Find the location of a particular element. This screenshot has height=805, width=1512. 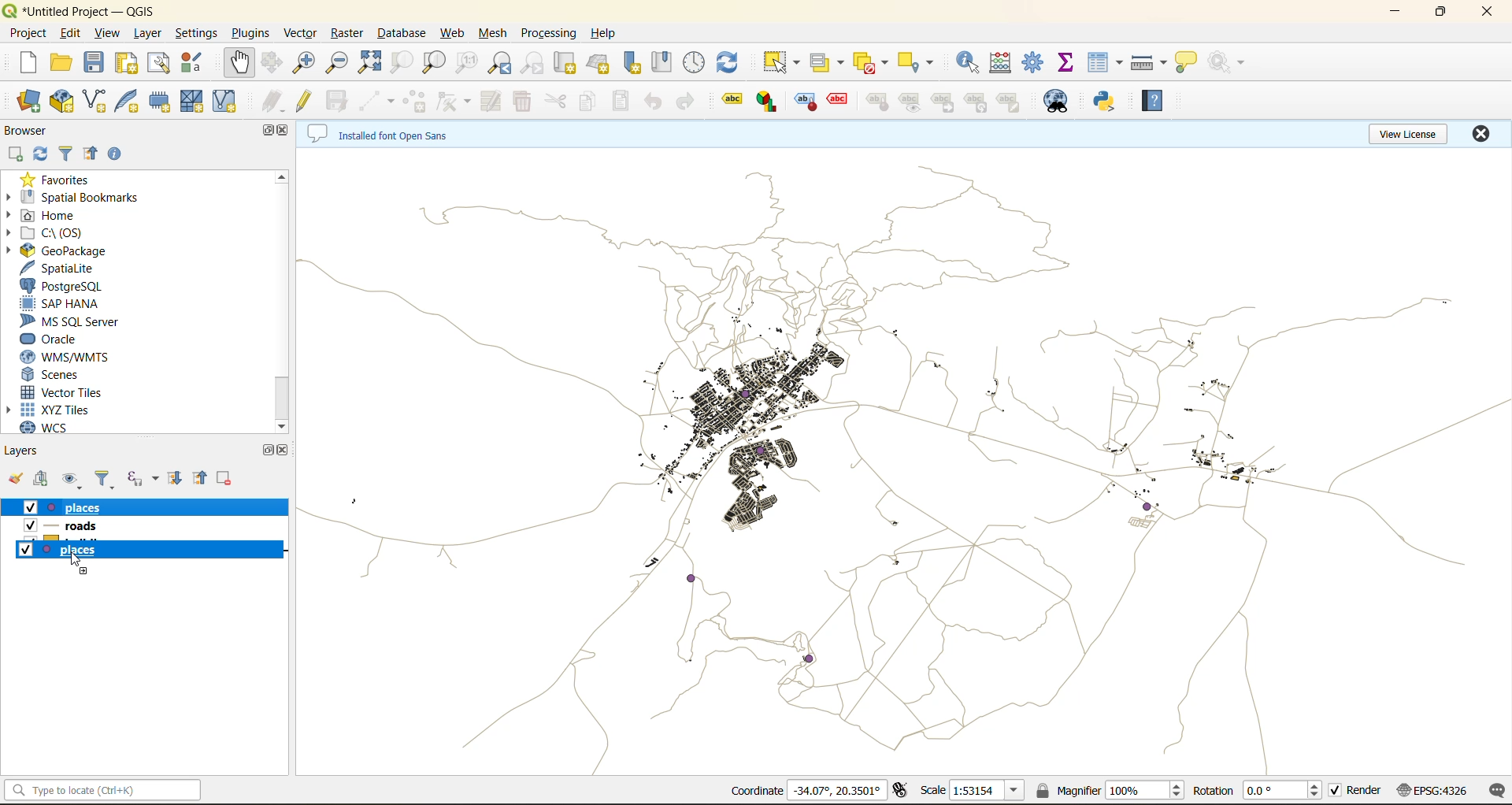

add is located at coordinates (15, 154).